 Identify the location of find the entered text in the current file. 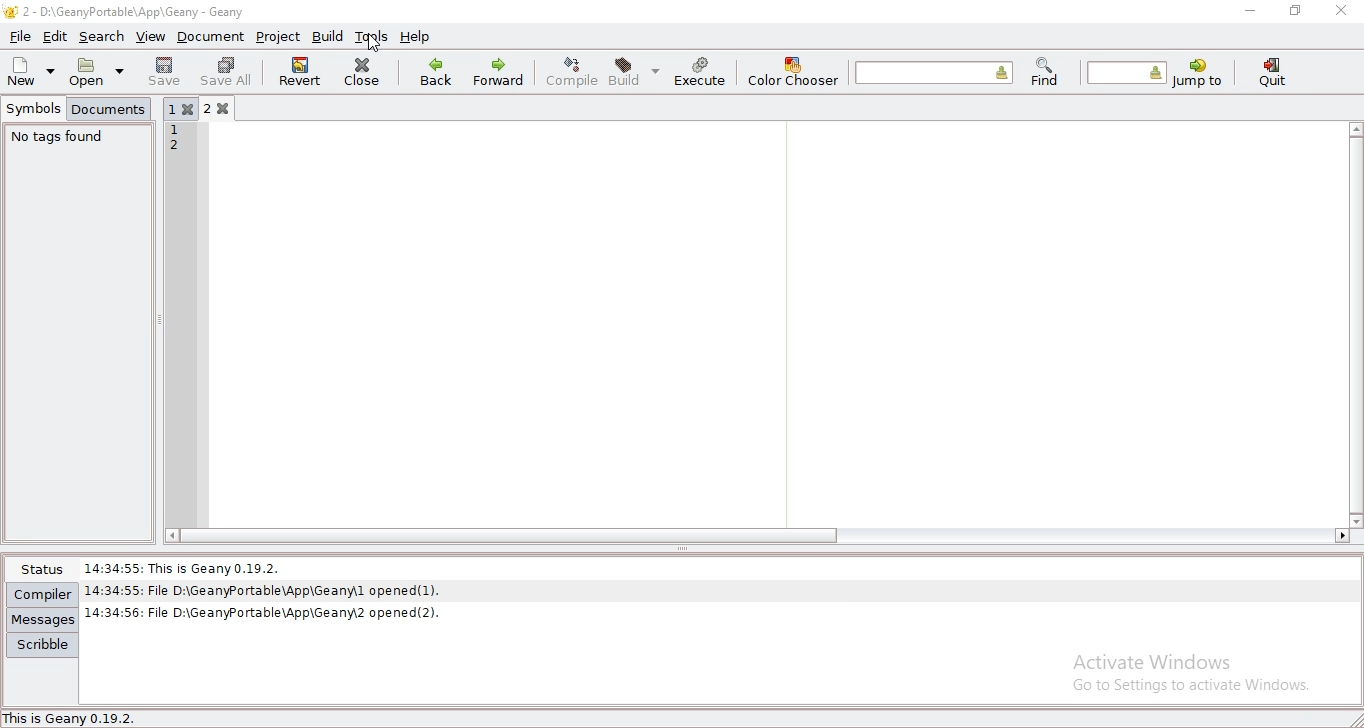
(934, 71).